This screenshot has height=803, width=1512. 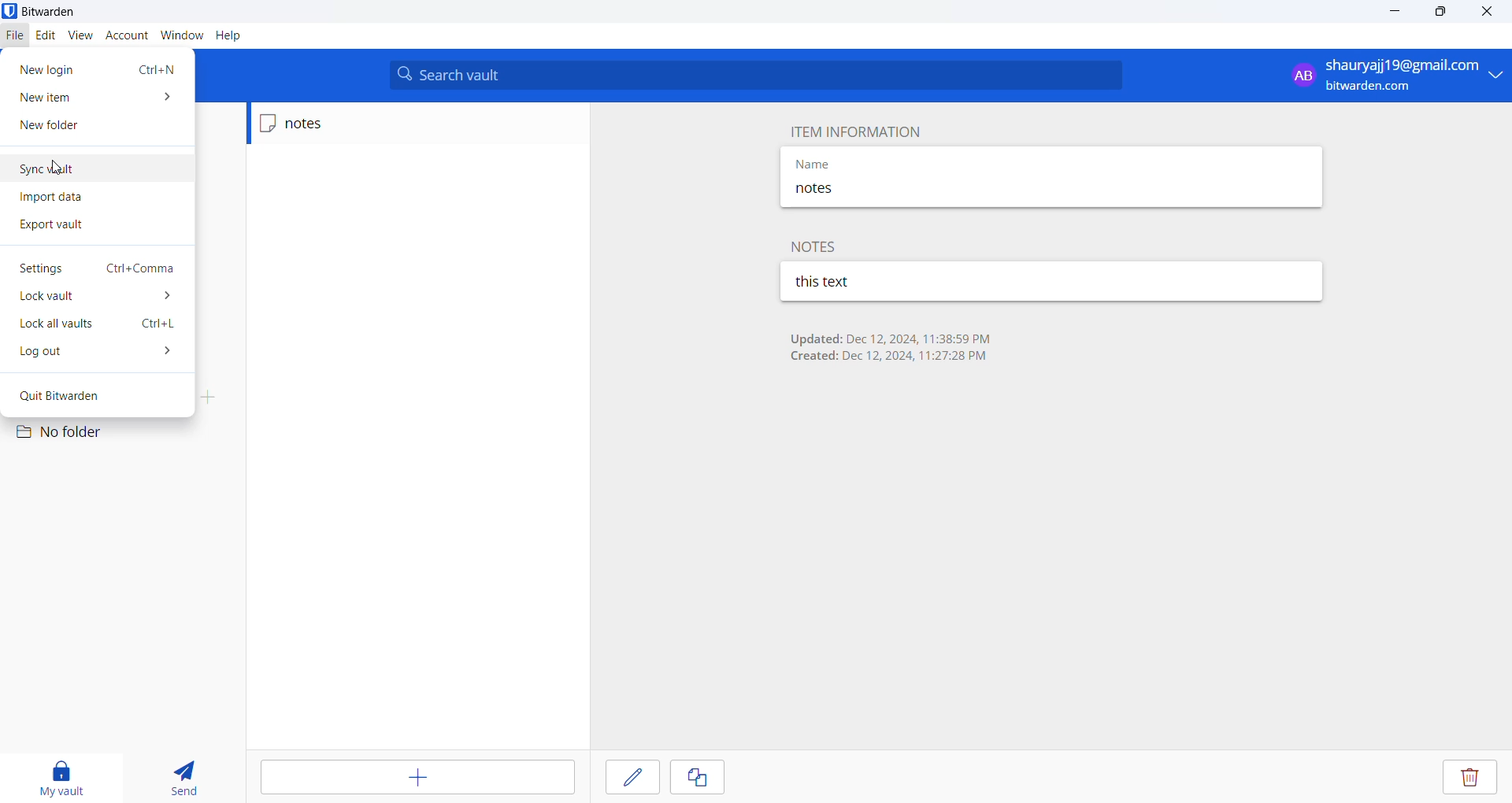 What do you see at coordinates (229, 37) in the screenshot?
I see `help` at bounding box center [229, 37].